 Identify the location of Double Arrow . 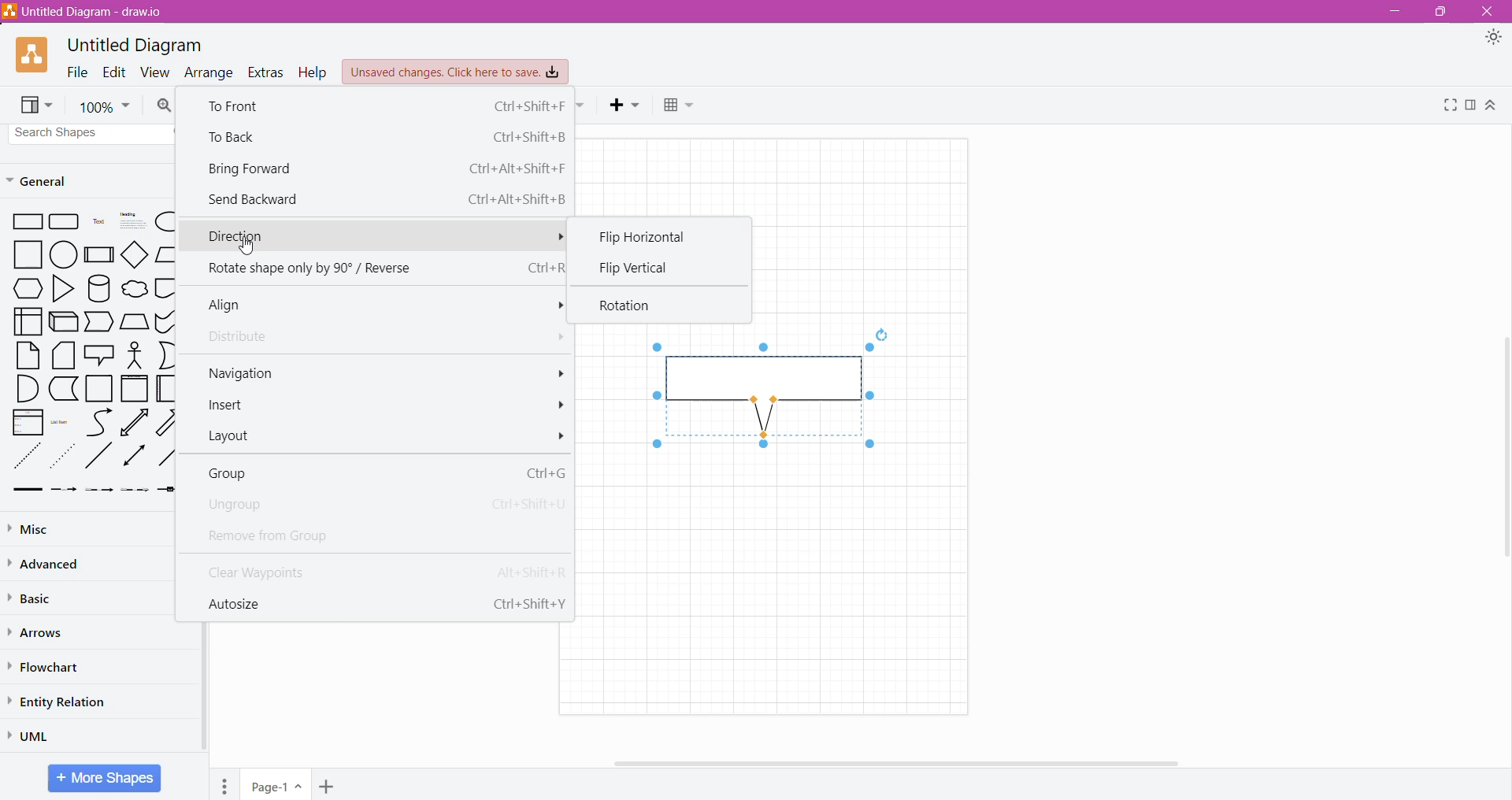
(135, 457).